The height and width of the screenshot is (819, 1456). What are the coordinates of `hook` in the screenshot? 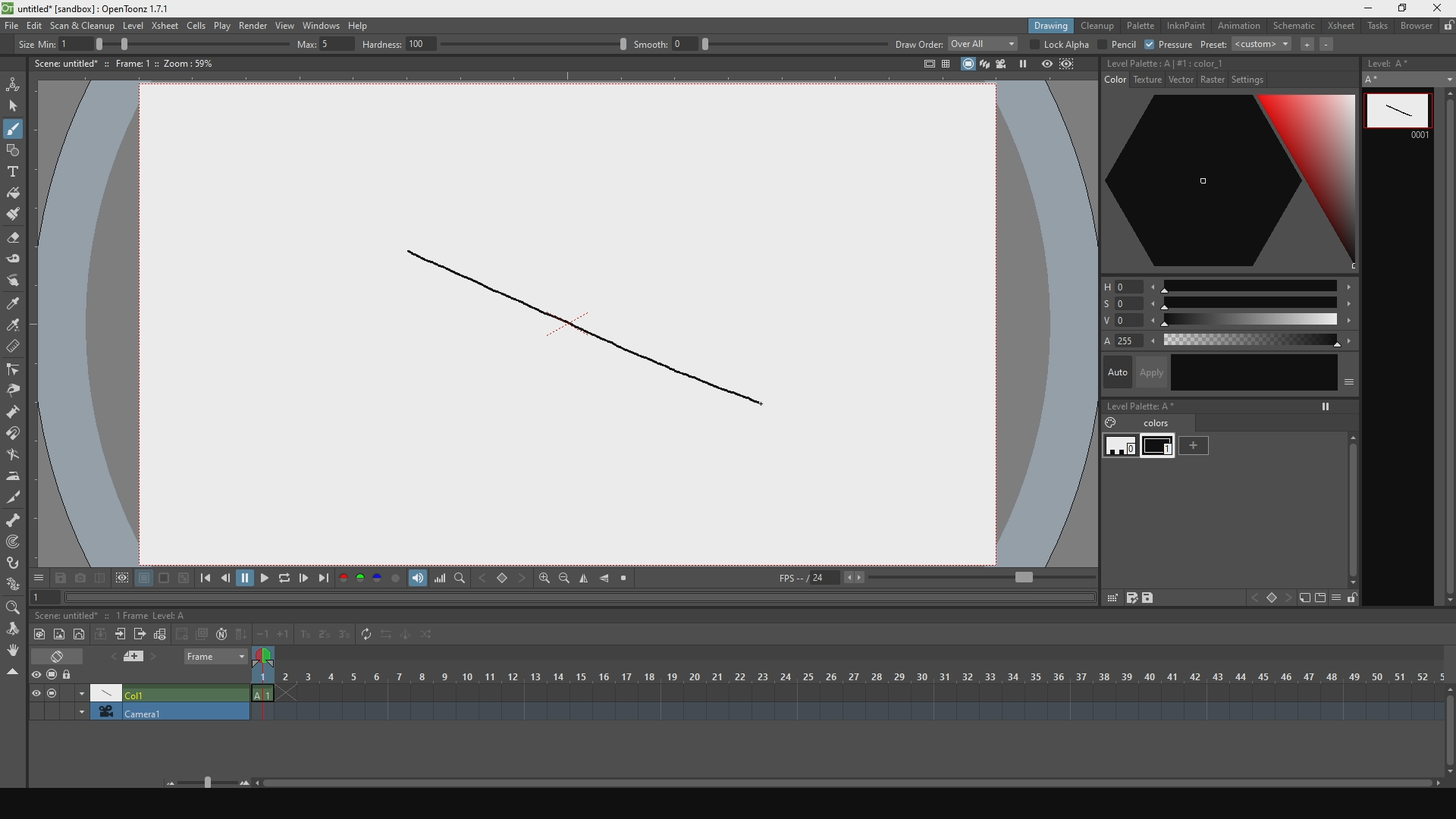 It's located at (14, 564).